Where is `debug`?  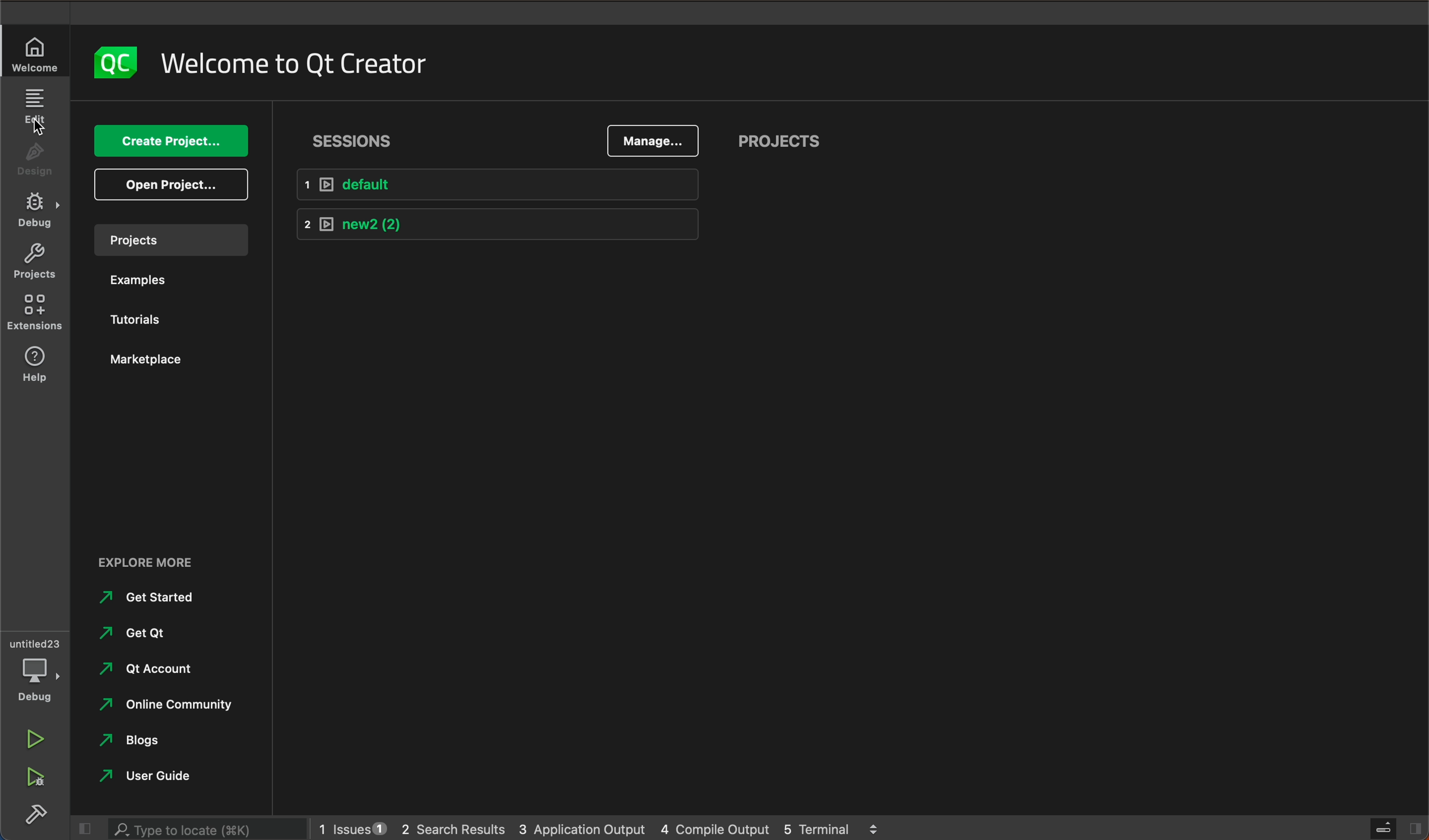 debug is located at coordinates (34, 668).